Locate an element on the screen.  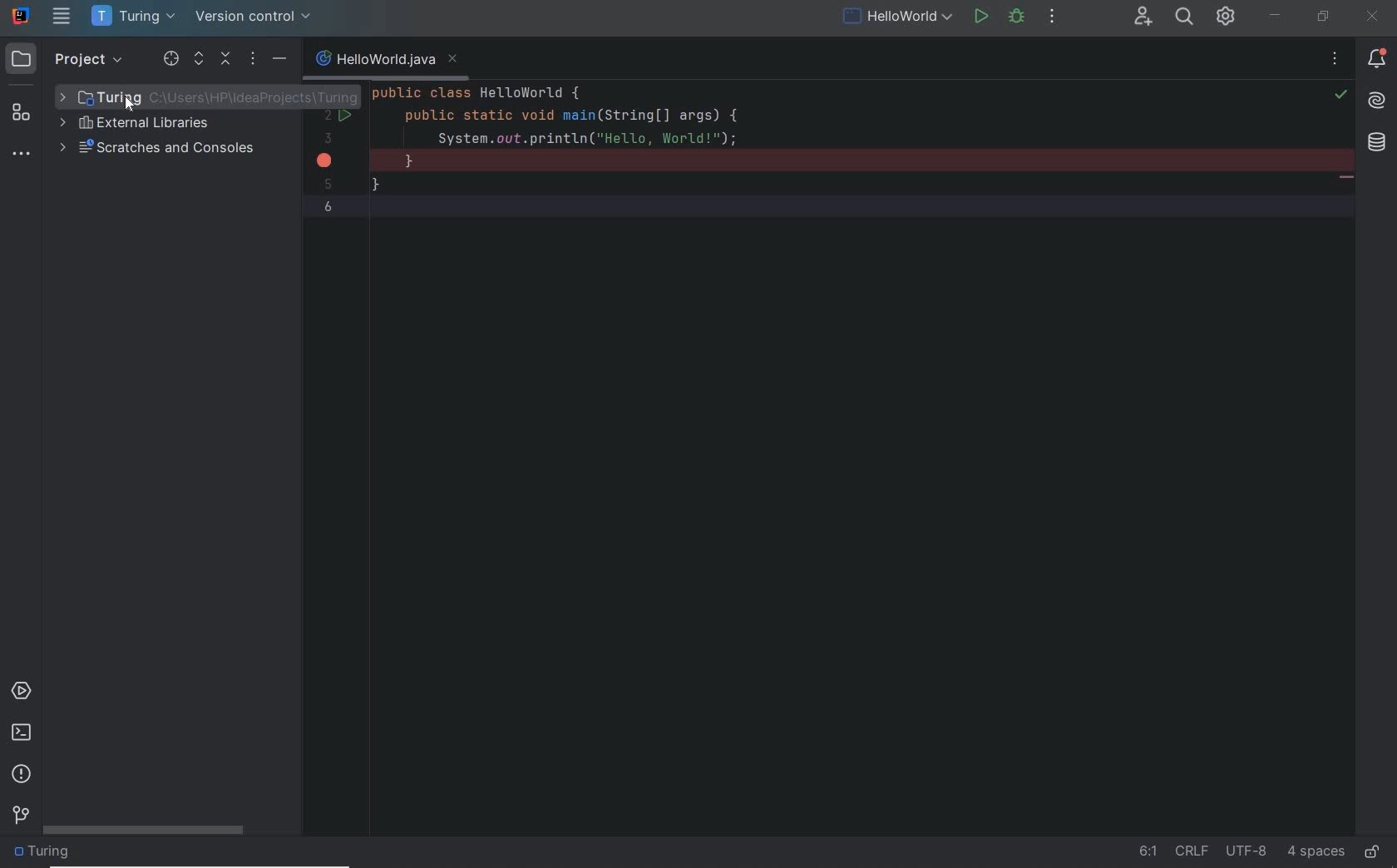
highlight all problems is located at coordinates (1340, 95).